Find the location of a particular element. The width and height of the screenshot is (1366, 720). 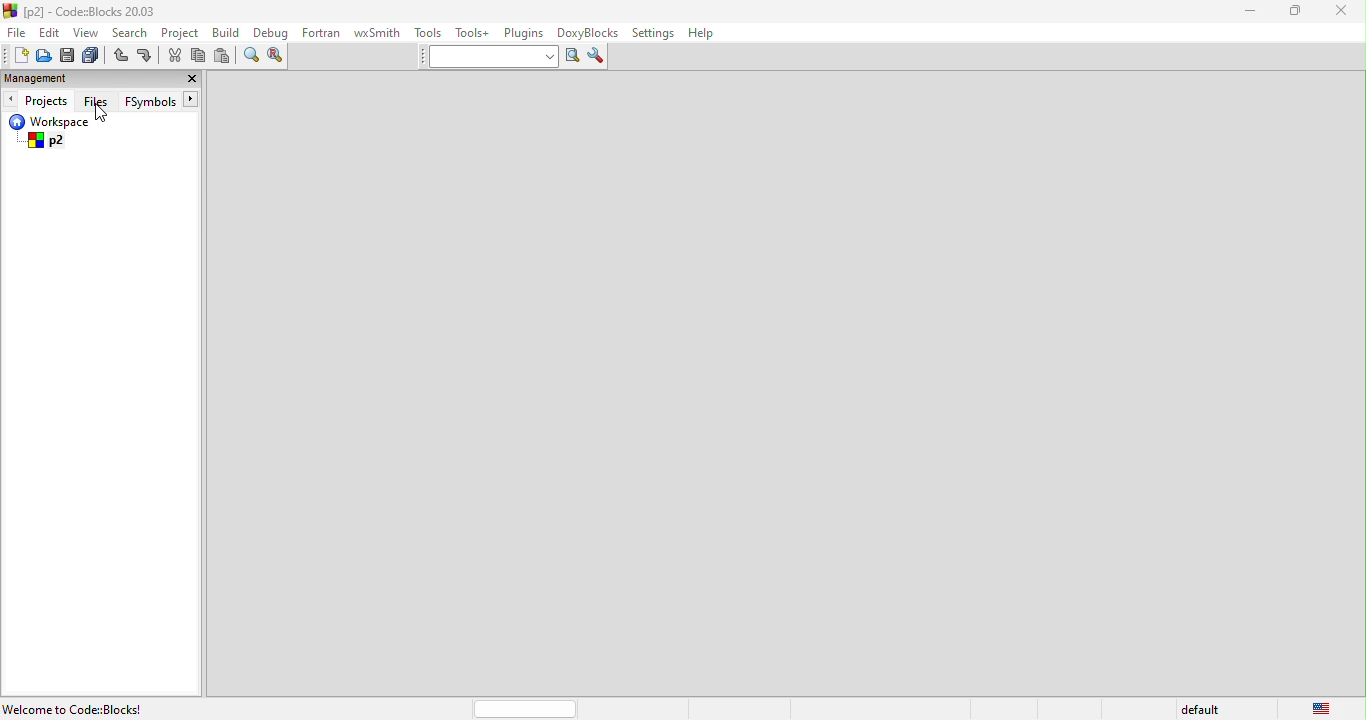

replace is located at coordinates (275, 57).